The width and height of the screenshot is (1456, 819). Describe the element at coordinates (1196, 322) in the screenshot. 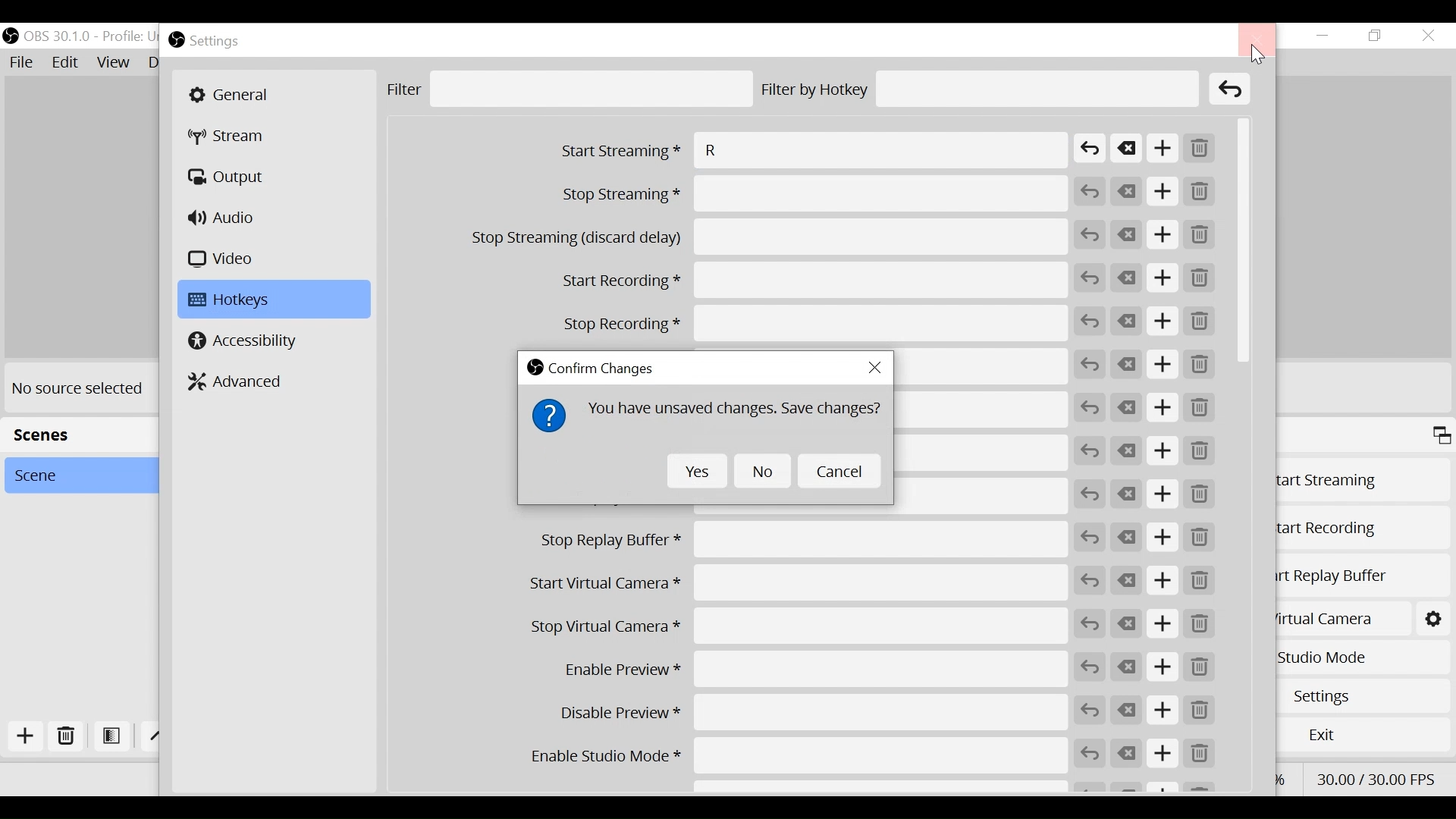

I see `Remove` at that location.